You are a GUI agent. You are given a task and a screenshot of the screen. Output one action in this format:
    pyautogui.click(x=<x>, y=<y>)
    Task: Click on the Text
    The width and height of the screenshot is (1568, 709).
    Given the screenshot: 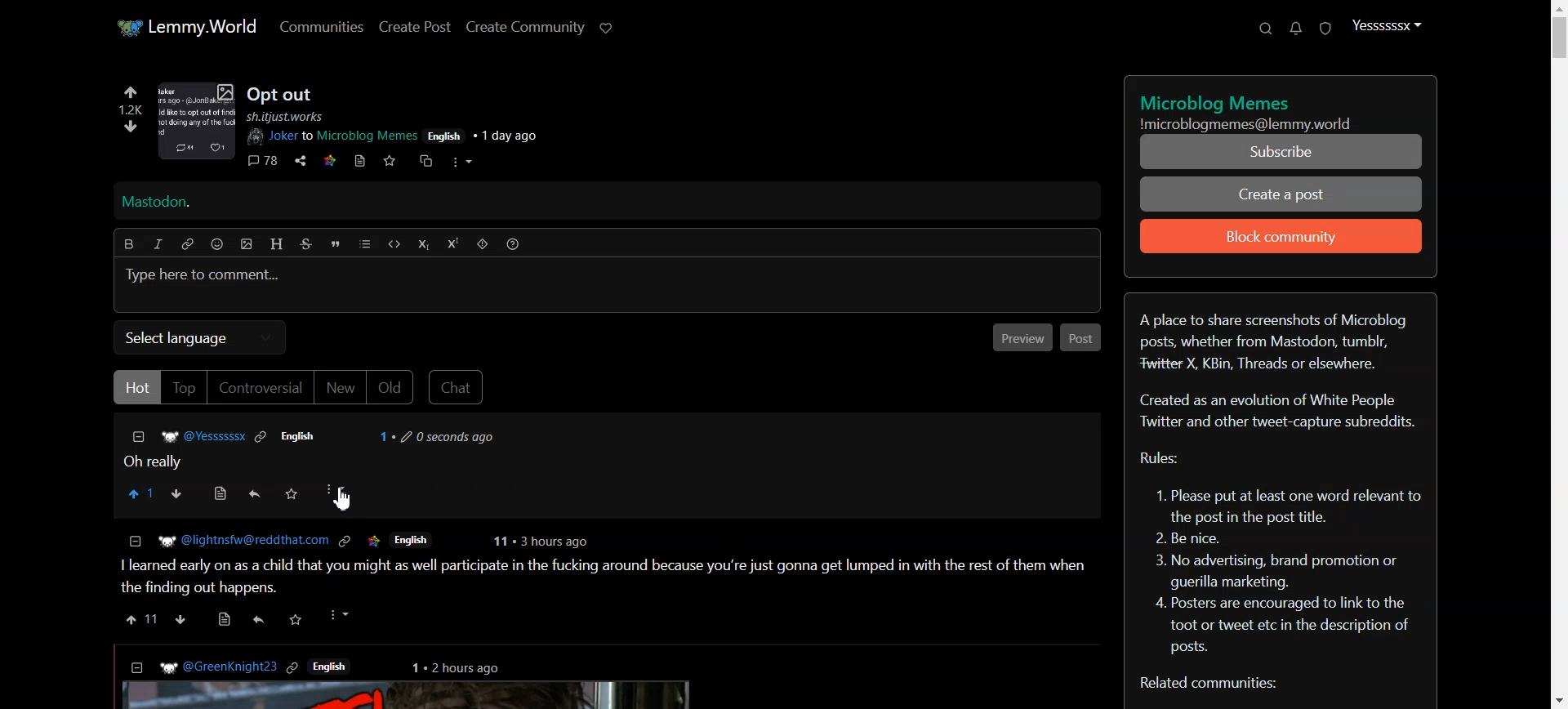 What is the action you would take?
    pyautogui.click(x=1282, y=493)
    